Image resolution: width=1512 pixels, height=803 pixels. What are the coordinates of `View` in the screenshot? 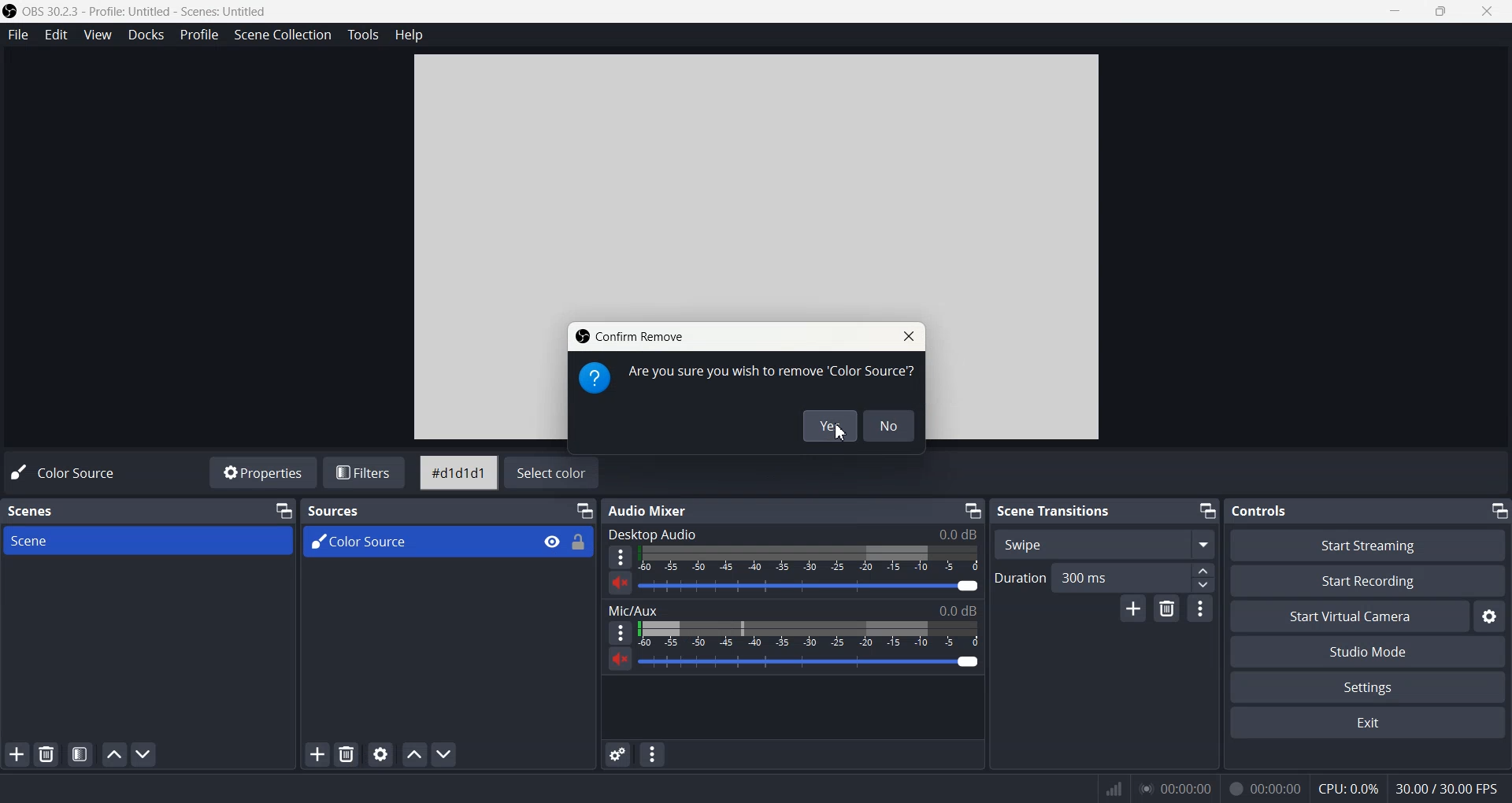 It's located at (96, 35).